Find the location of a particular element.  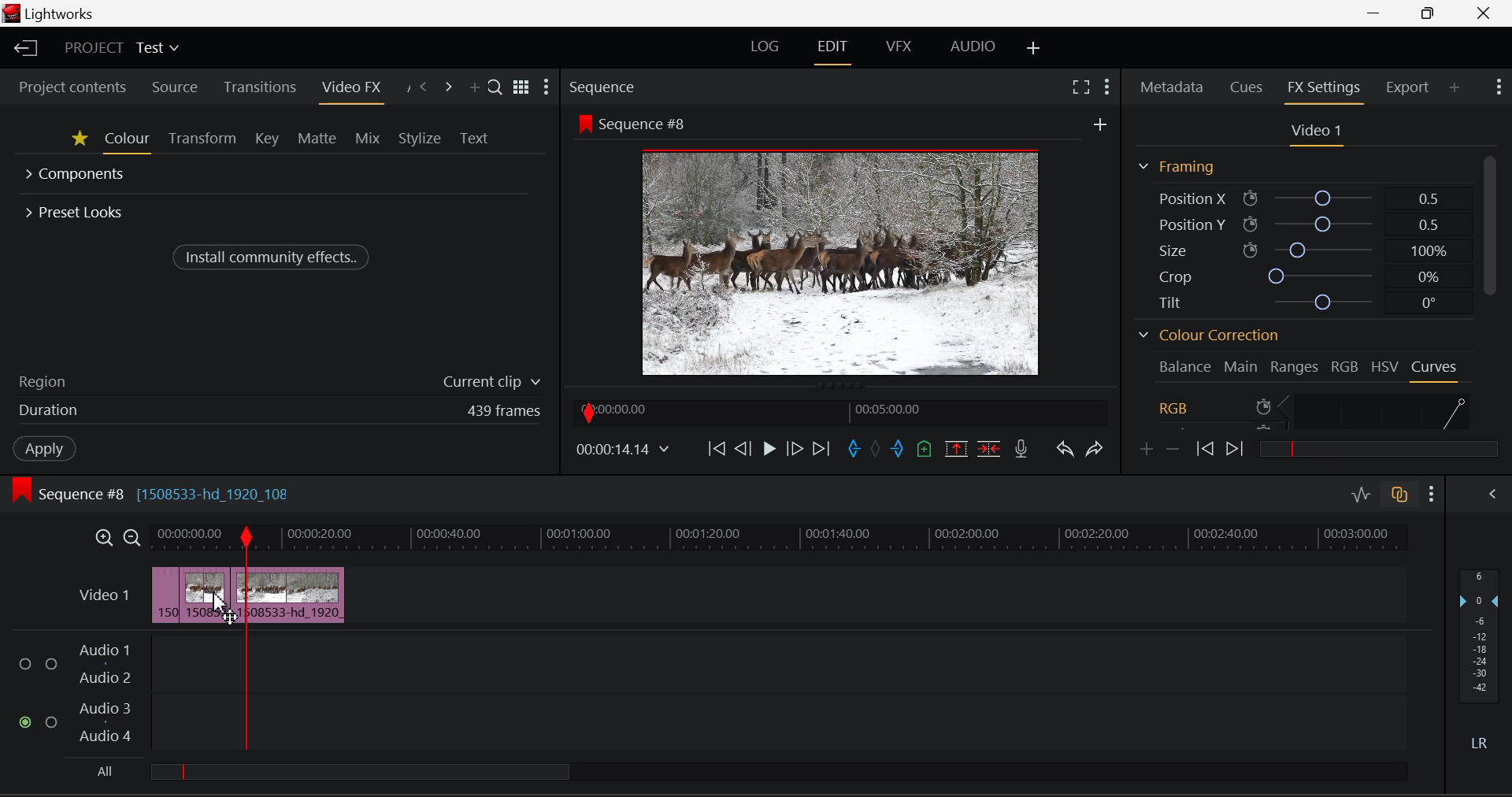

Preset Looks is located at coordinates (76, 210).